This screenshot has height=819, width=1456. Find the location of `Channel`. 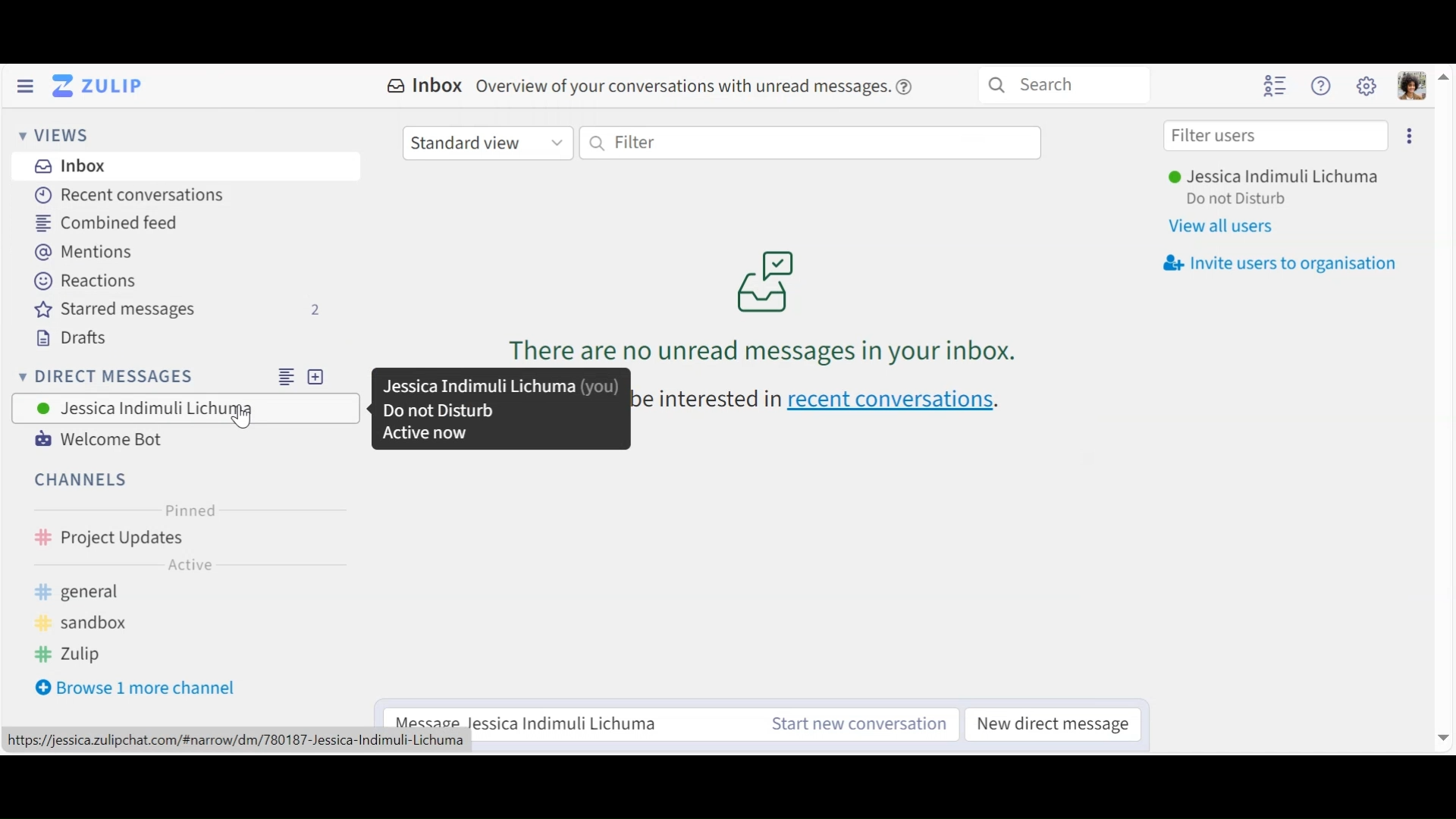

Channel is located at coordinates (83, 479).